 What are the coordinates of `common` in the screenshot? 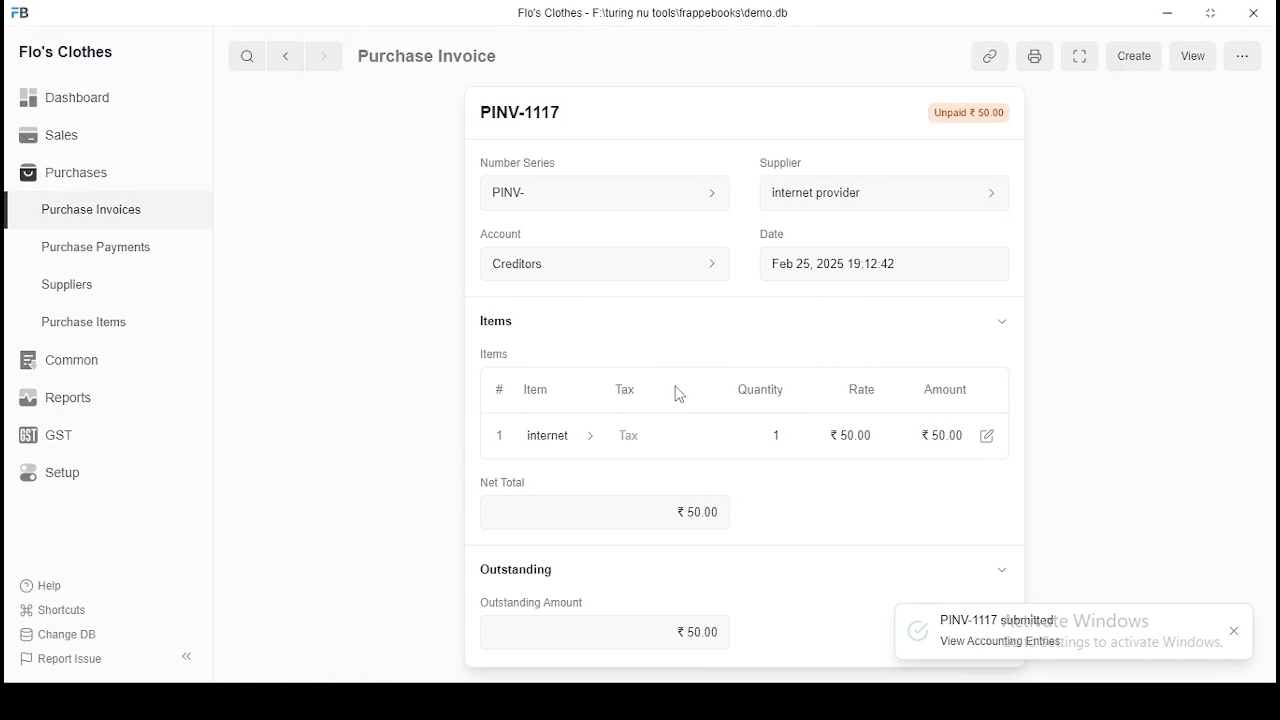 It's located at (65, 360).